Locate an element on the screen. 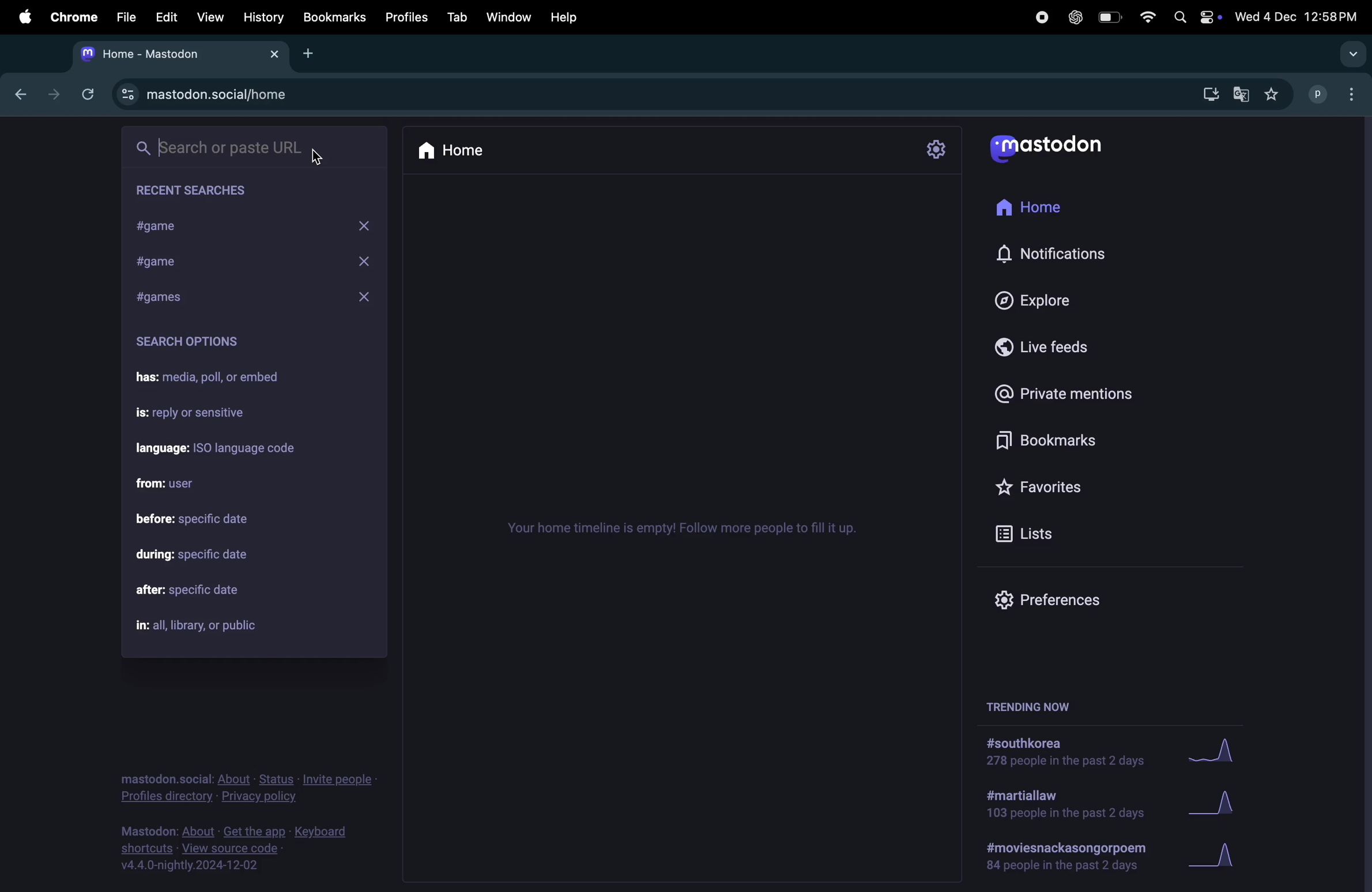 The image size is (1372, 892). mastodon url is located at coordinates (209, 95).